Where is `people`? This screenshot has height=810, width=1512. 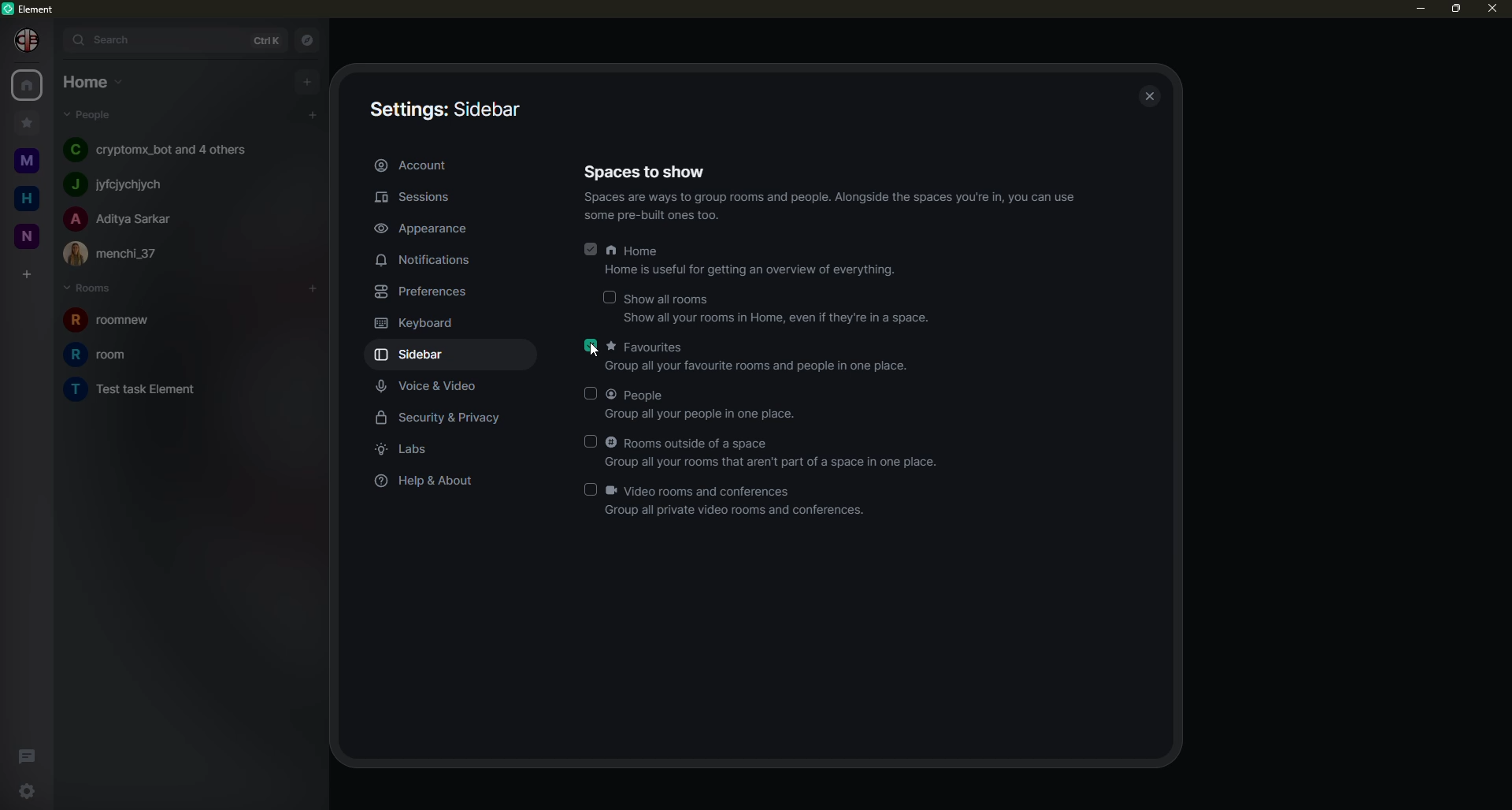 people is located at coordinates (124, 184).